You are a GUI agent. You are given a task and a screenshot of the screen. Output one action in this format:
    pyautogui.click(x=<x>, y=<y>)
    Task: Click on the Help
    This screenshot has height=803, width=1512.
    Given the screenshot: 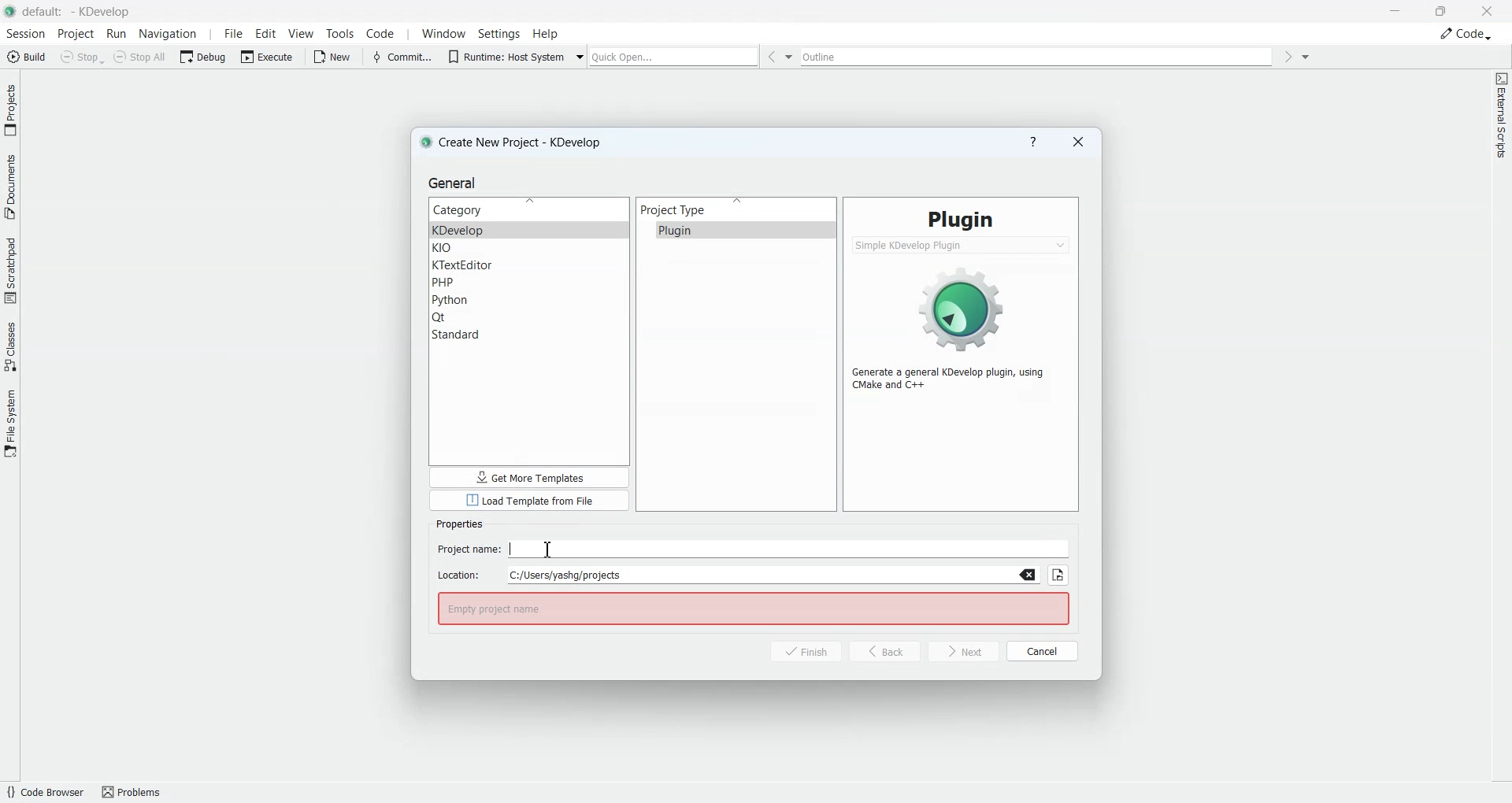 What is the action you would take?
    pyautogui.click(x=546, y=33)
    